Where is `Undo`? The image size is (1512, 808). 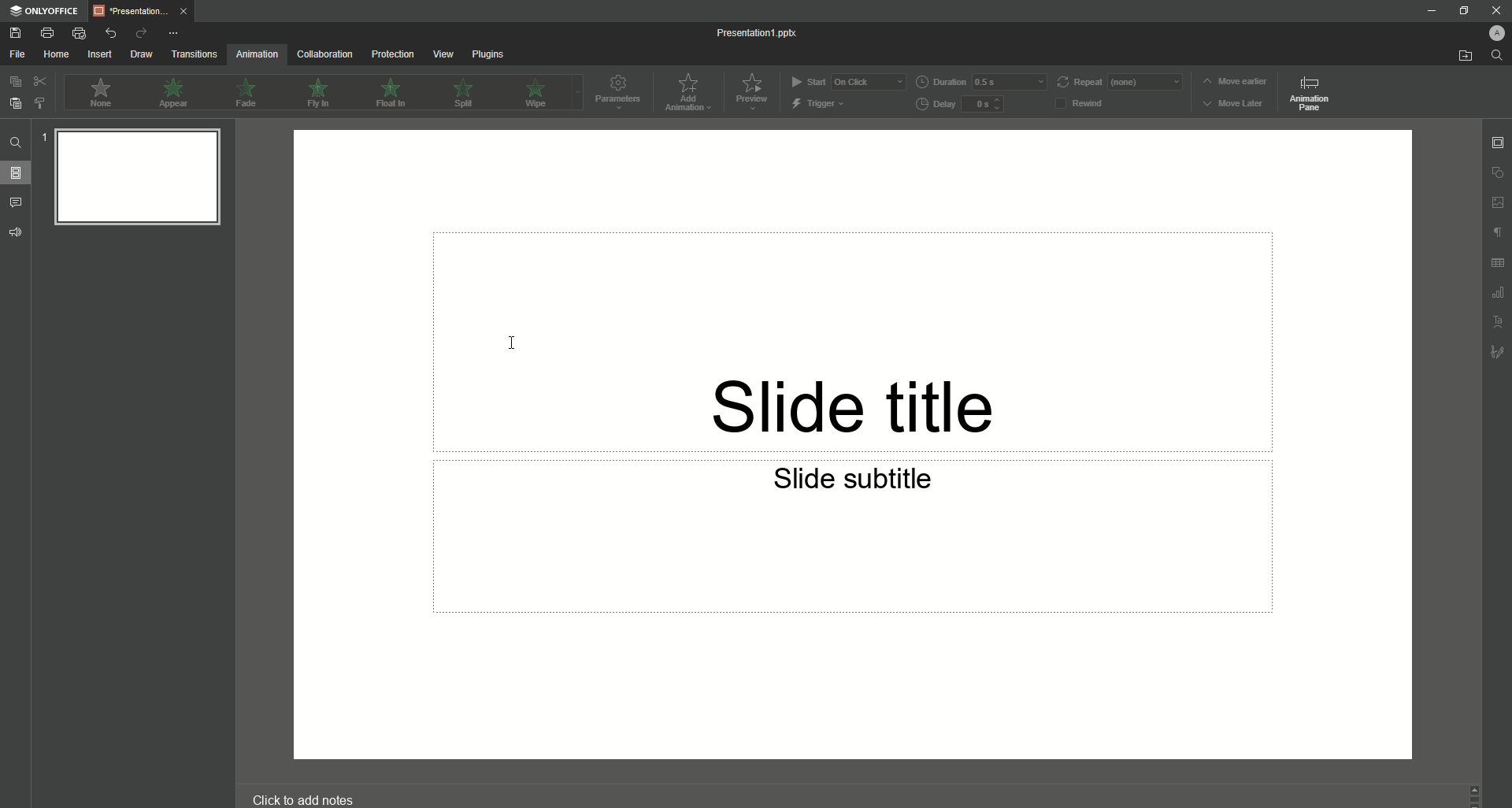
Undo is located at coordinates (106, 33).